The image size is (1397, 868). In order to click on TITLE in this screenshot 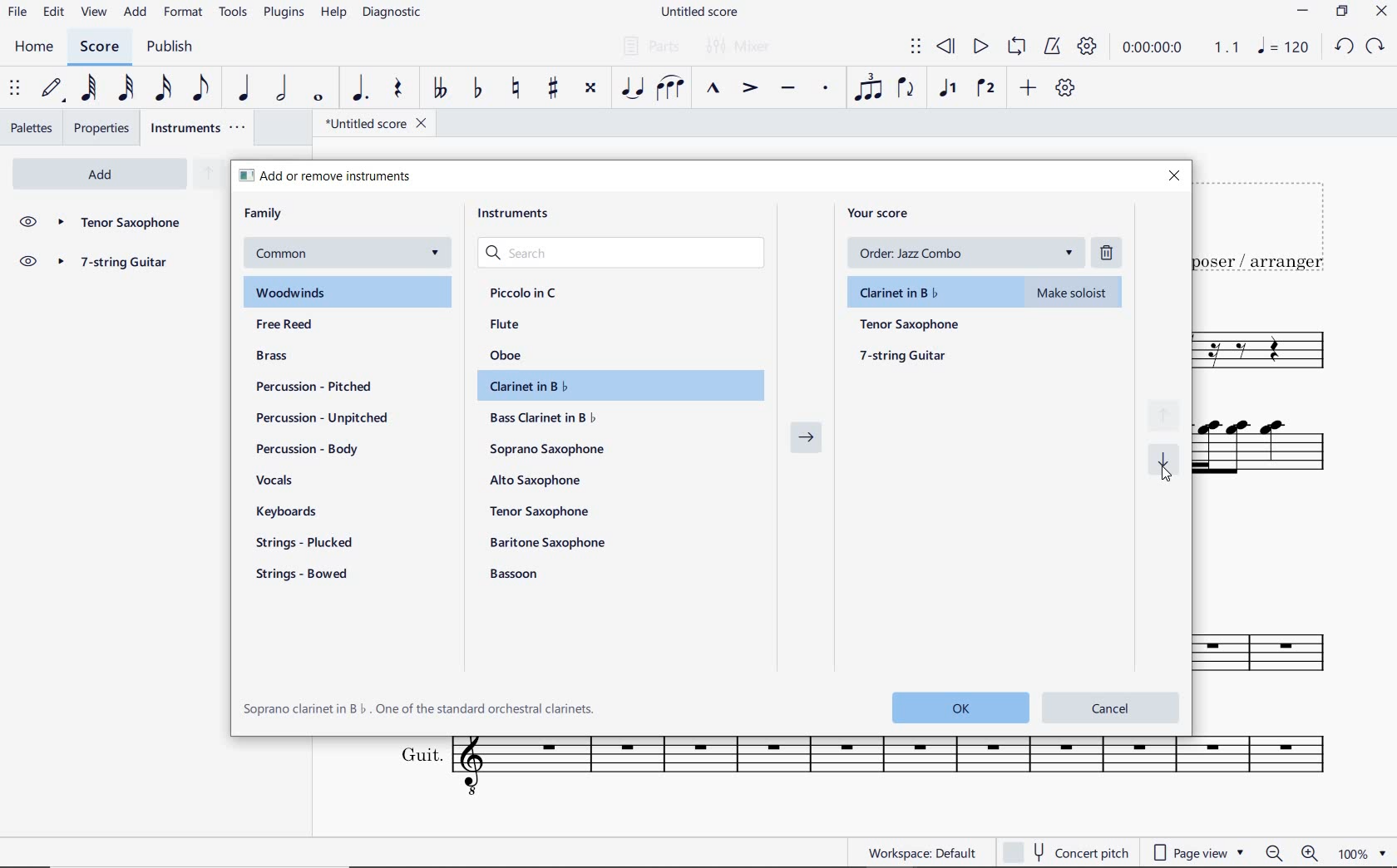, I will do `click(1268, 225)`.